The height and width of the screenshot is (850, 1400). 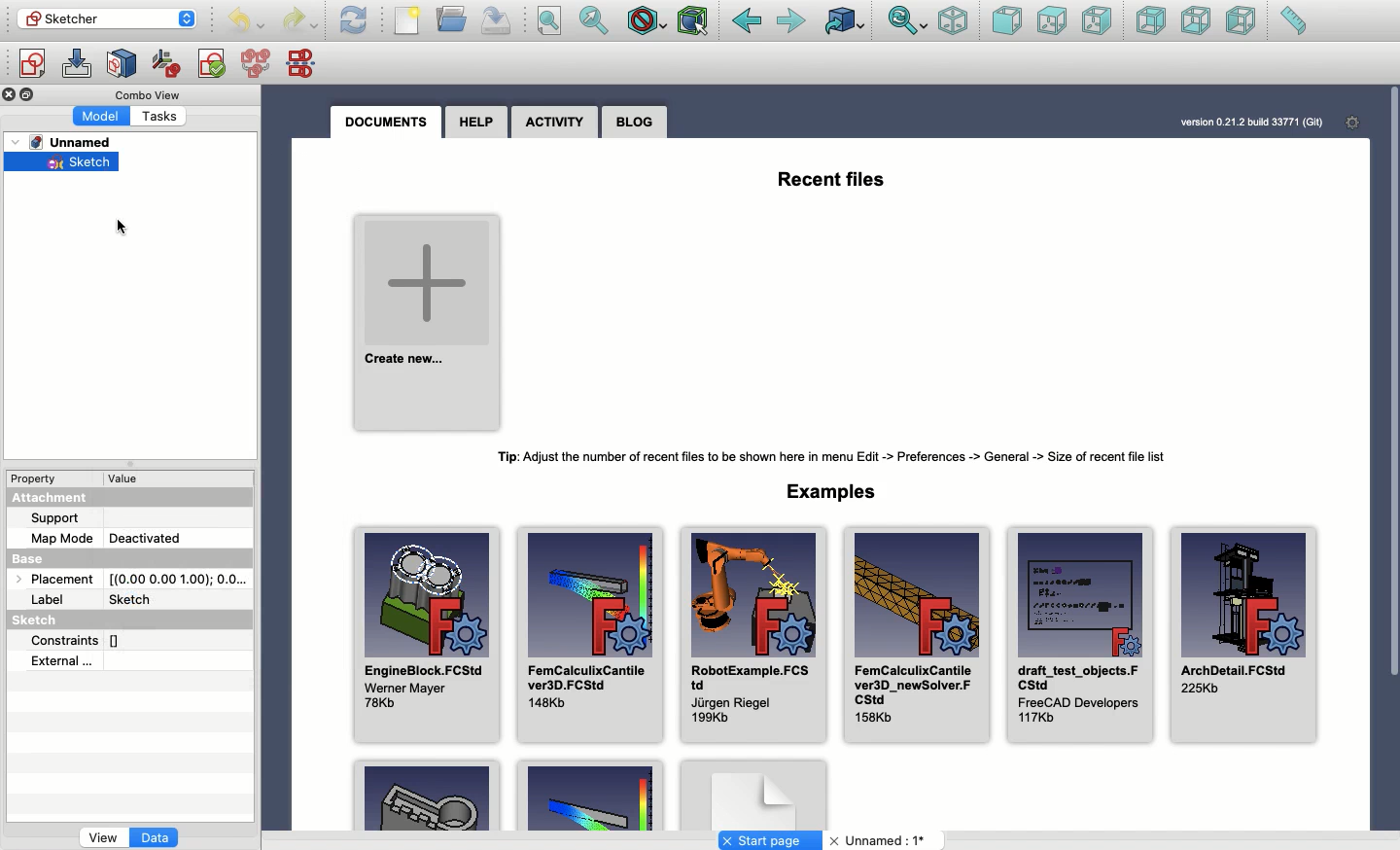 I want to click on EngineBlock, so click(x=425, y=627).